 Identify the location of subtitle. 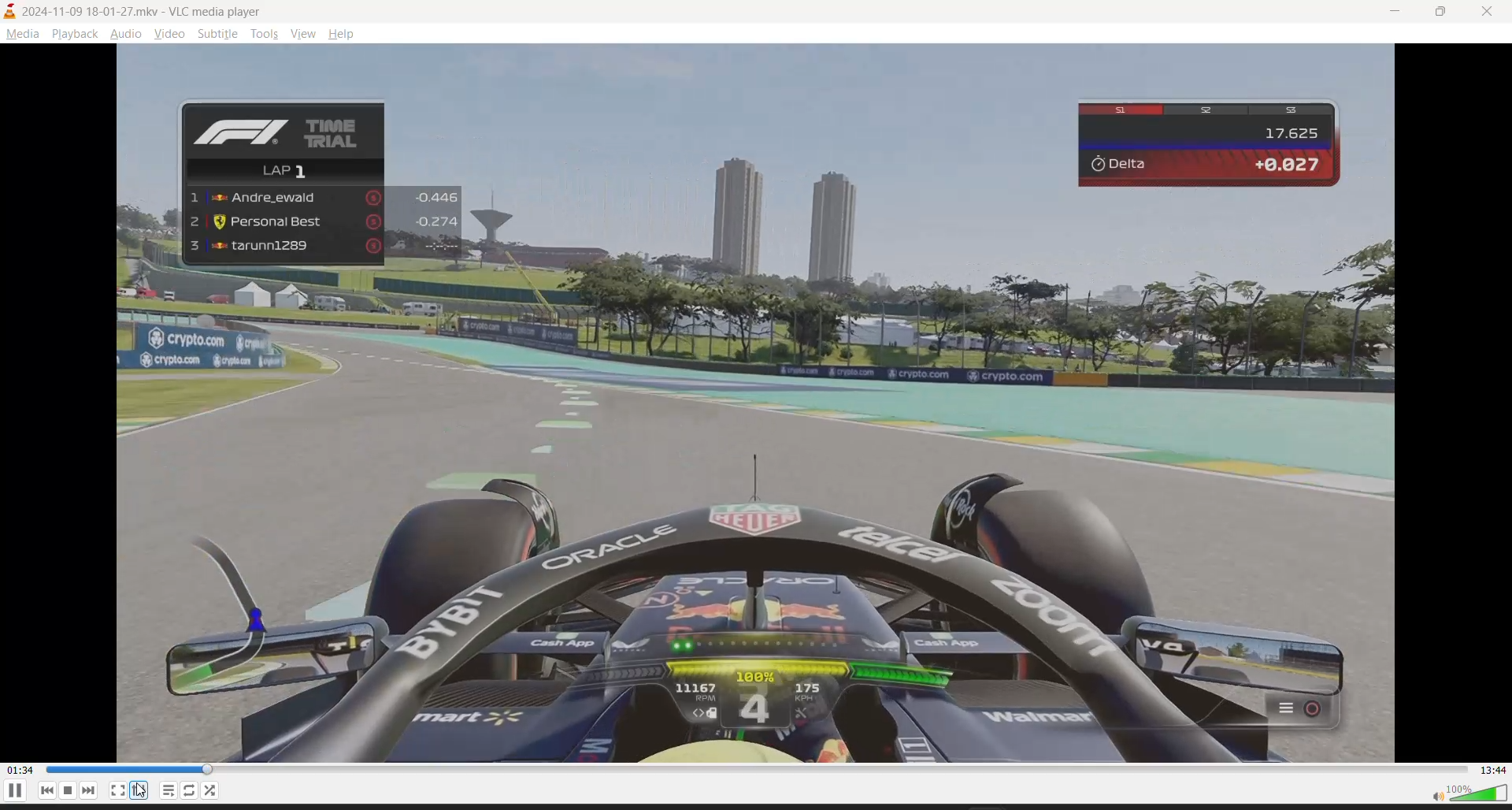
(216, 35).